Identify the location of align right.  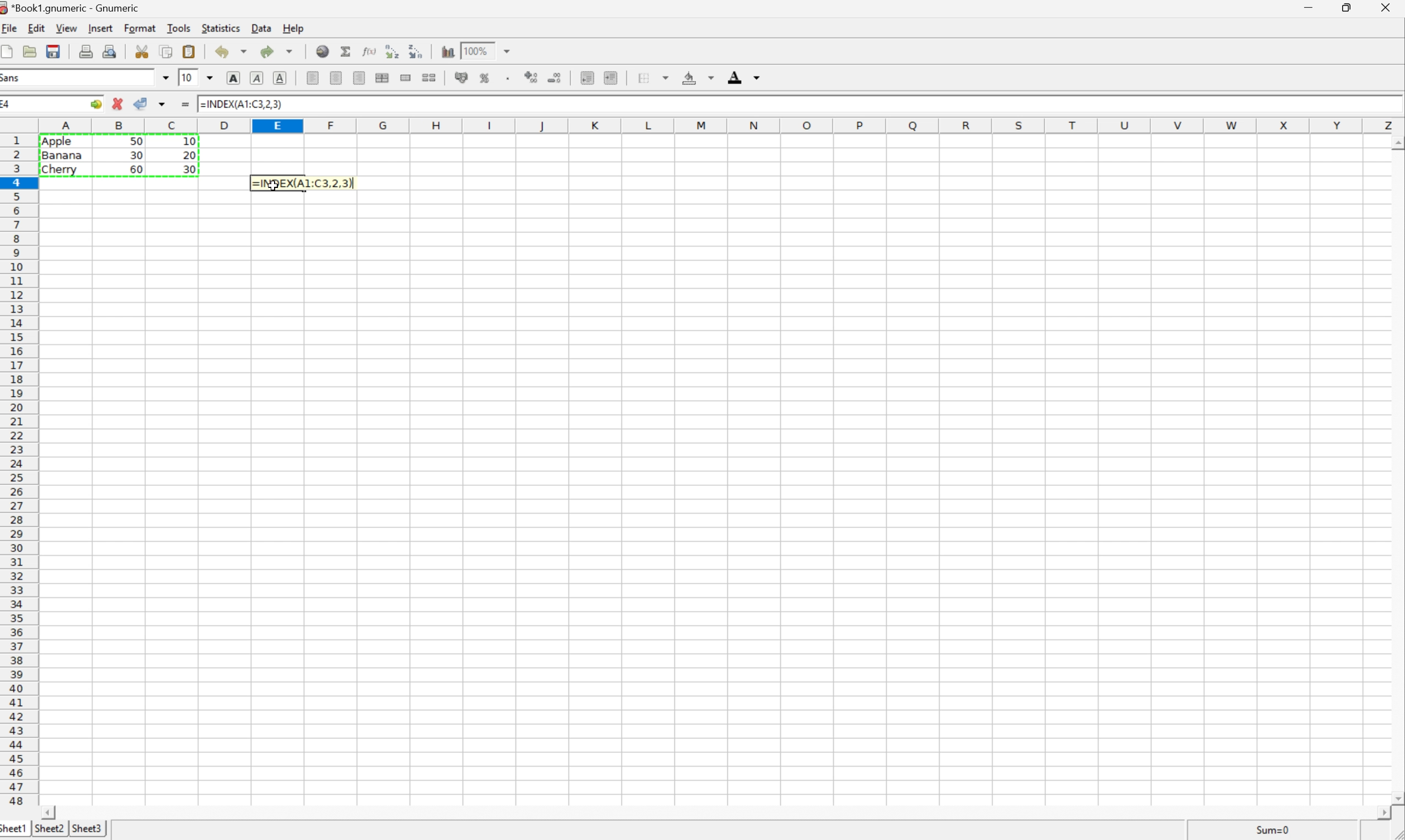
(360, 78).